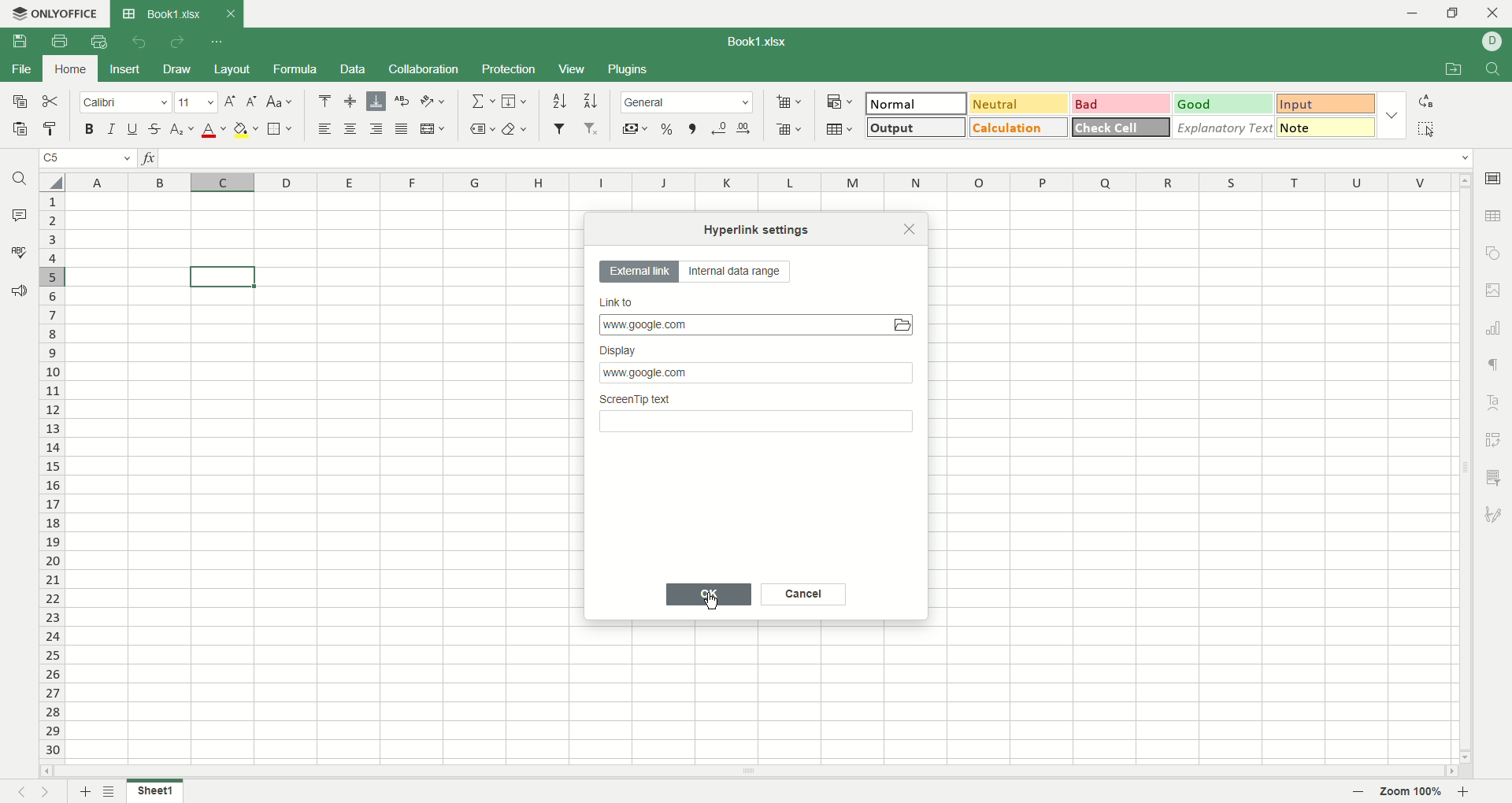 The height and width of the screenshot is (803, 1512). I want to click on selected column, so click(224, 181).